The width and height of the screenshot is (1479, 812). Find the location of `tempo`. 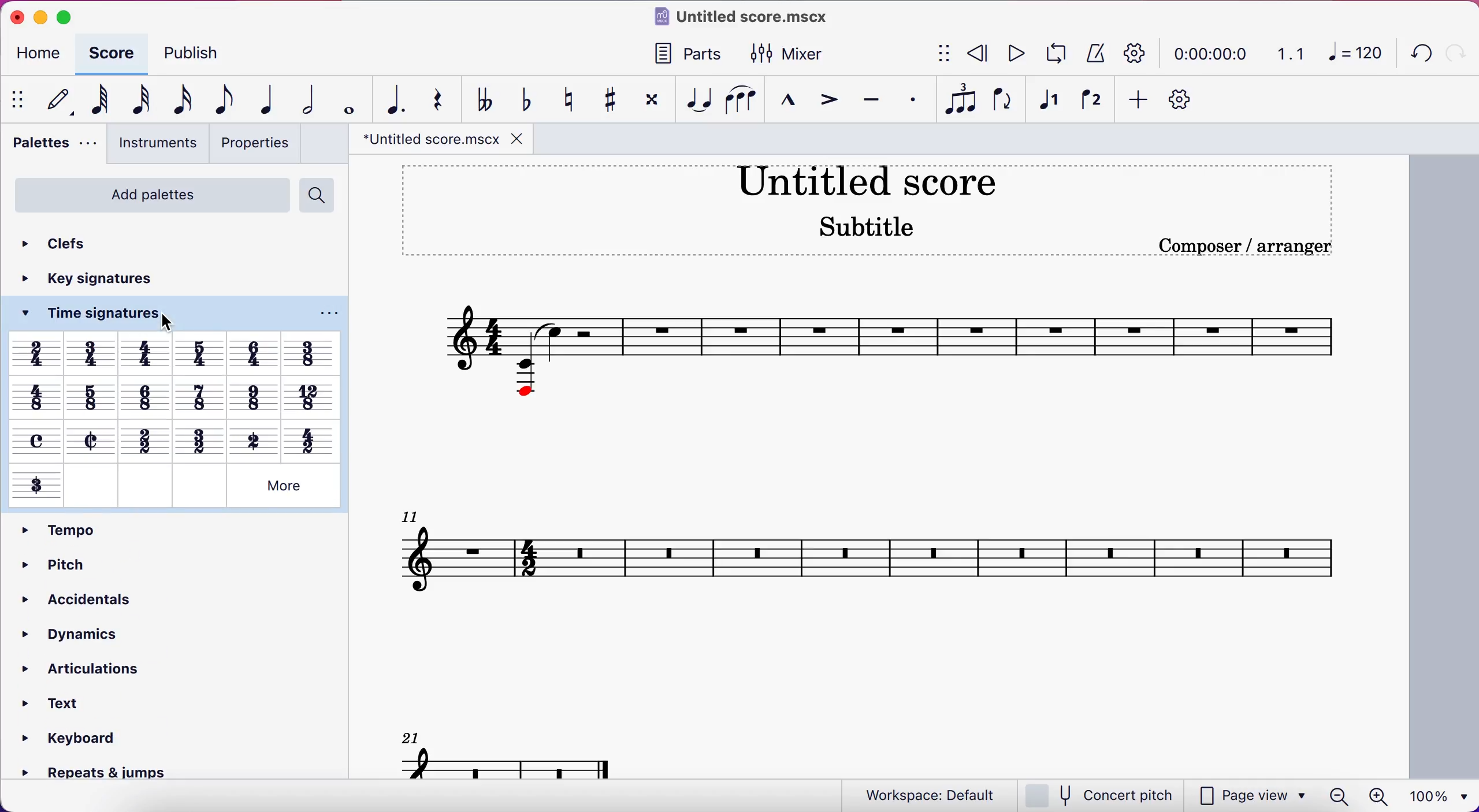

tempo is located at coordinates (62, 528).